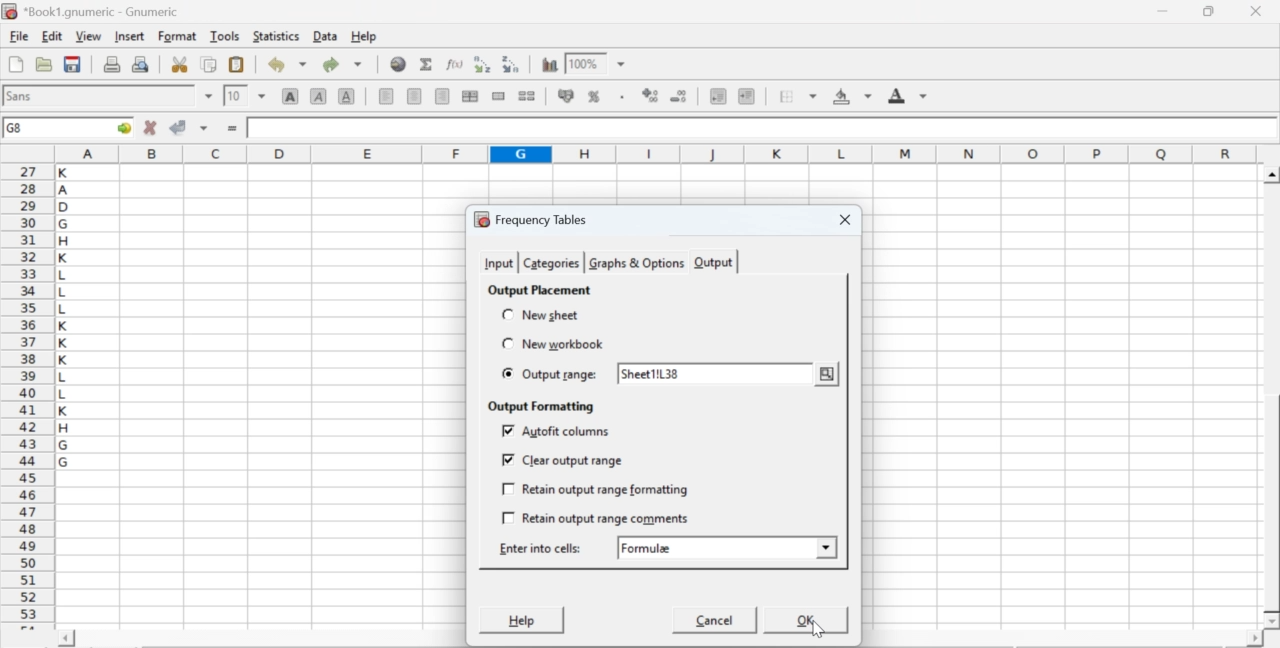 The width and height of the screenshot is (1280, 648). What do you see at coordinates (566, 95) in the screenshot?
I see `format selection as accounting` at bounding box center [566, 95].